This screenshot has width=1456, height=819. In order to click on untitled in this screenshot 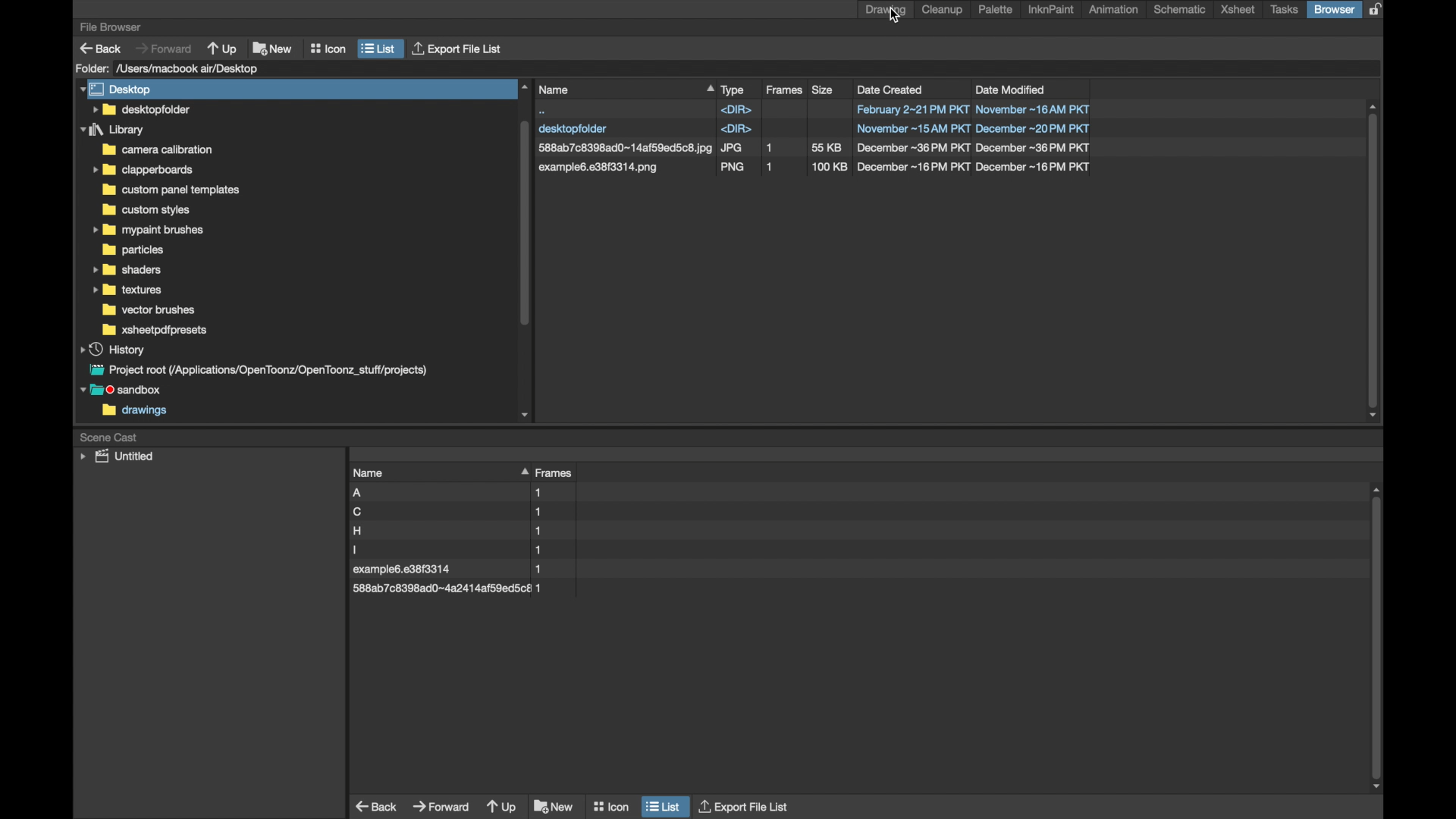, I will do `click(117, 457)`.